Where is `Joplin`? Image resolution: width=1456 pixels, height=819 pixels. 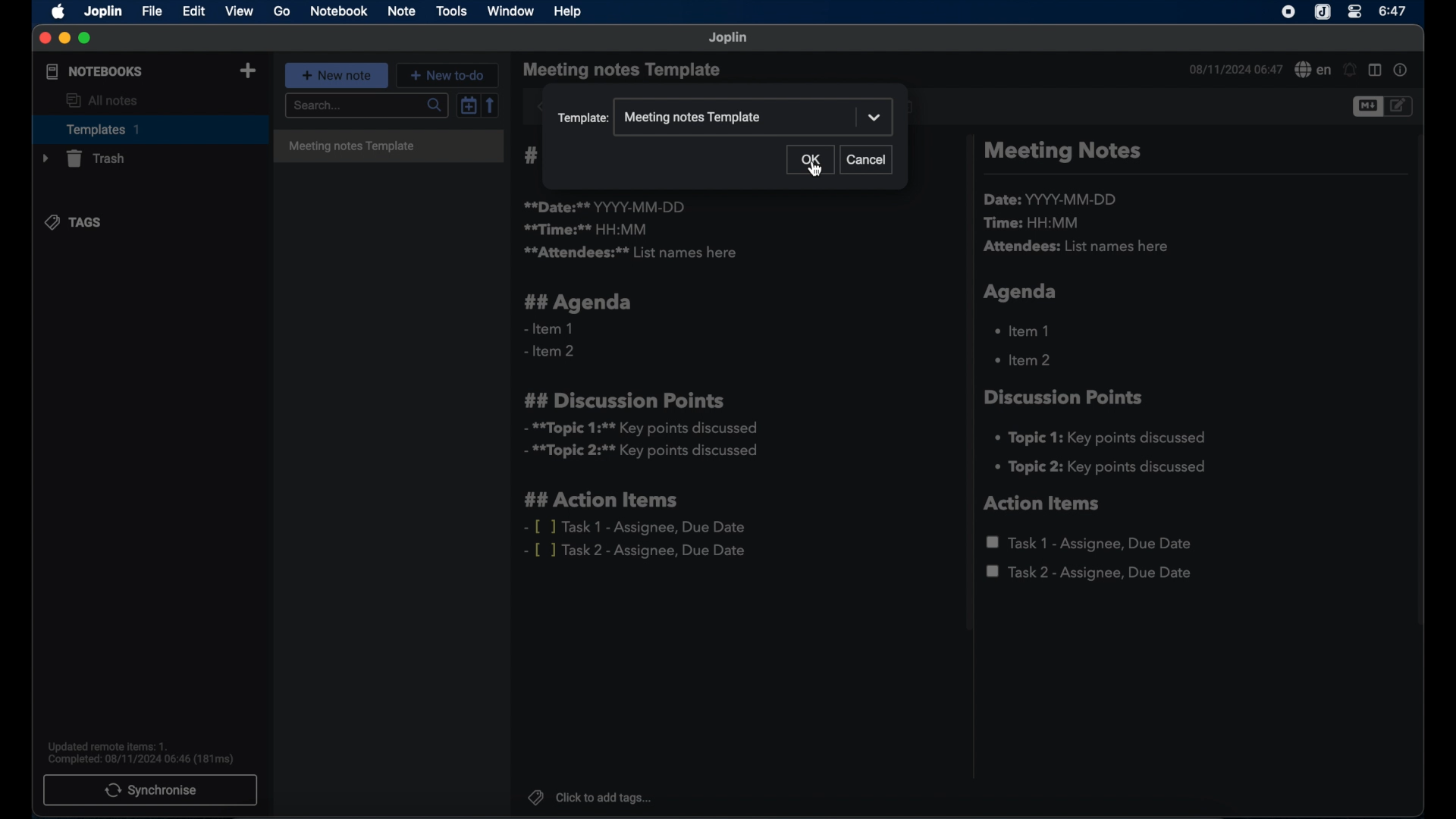 Joplin is located at coordinates (1322, 12).